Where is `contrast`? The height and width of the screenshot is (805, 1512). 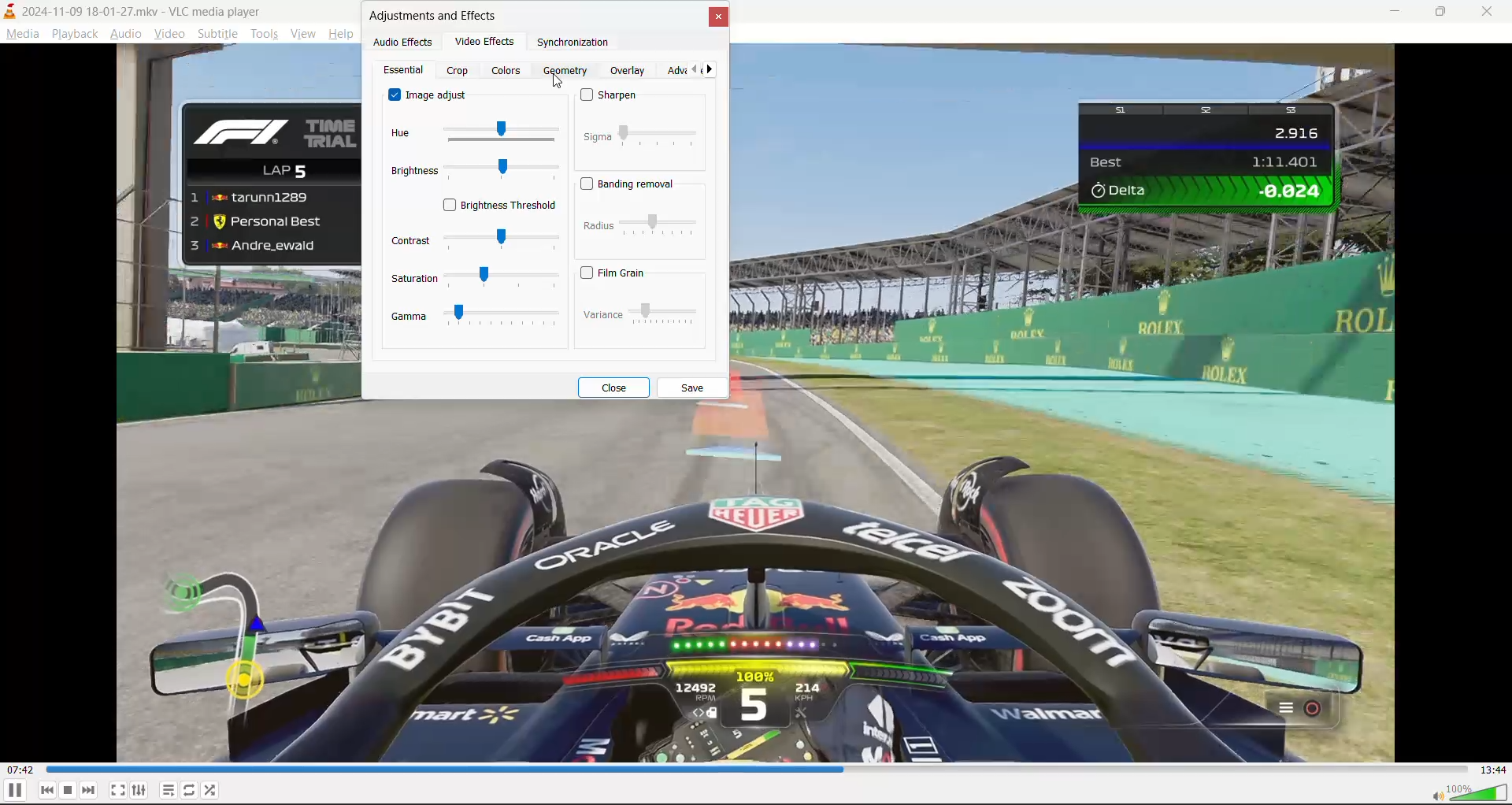 contrast is located at coordinates (474, 239).